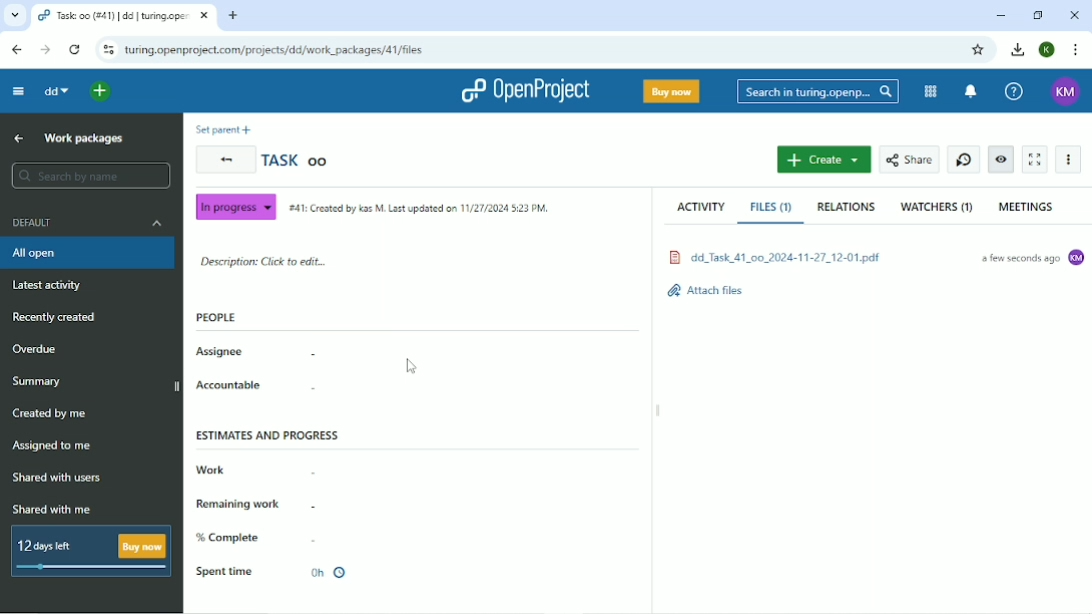  What do you see at coordinates (222, 352) in the screenshot?
I see `Assignee` at bounding box center [222, 352].